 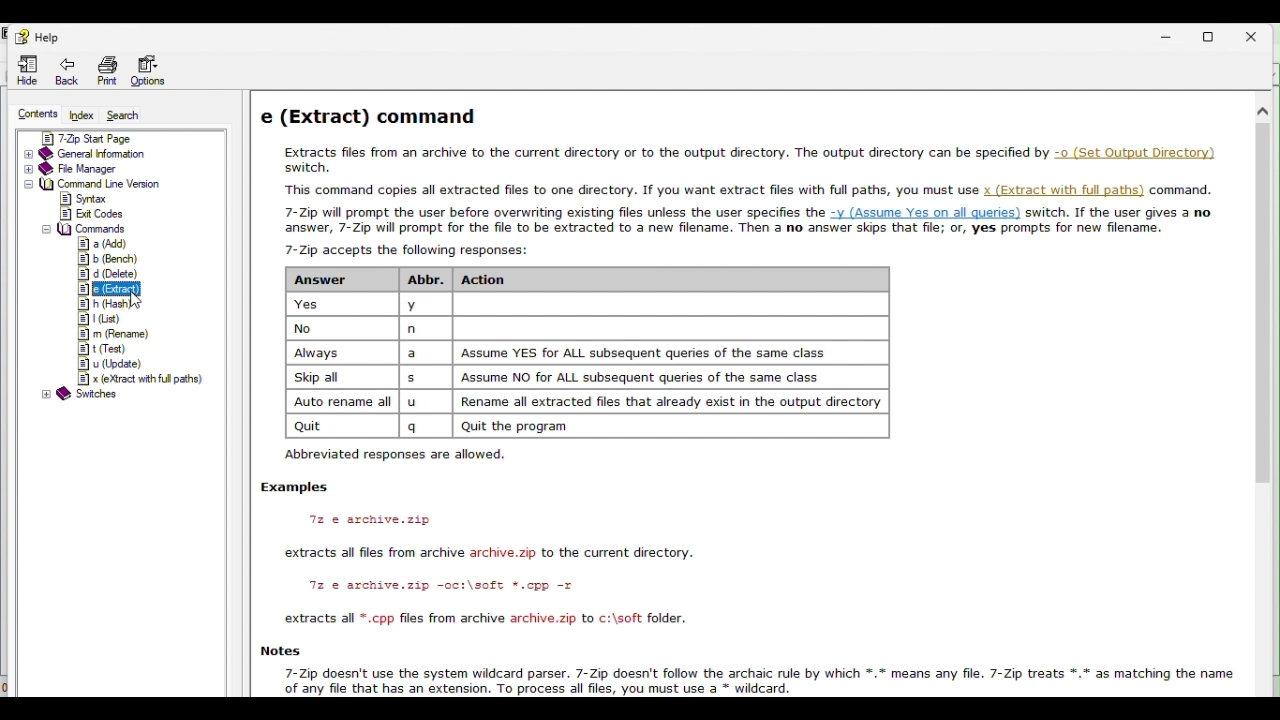 I want to click on print, so click(x=107, y=70).